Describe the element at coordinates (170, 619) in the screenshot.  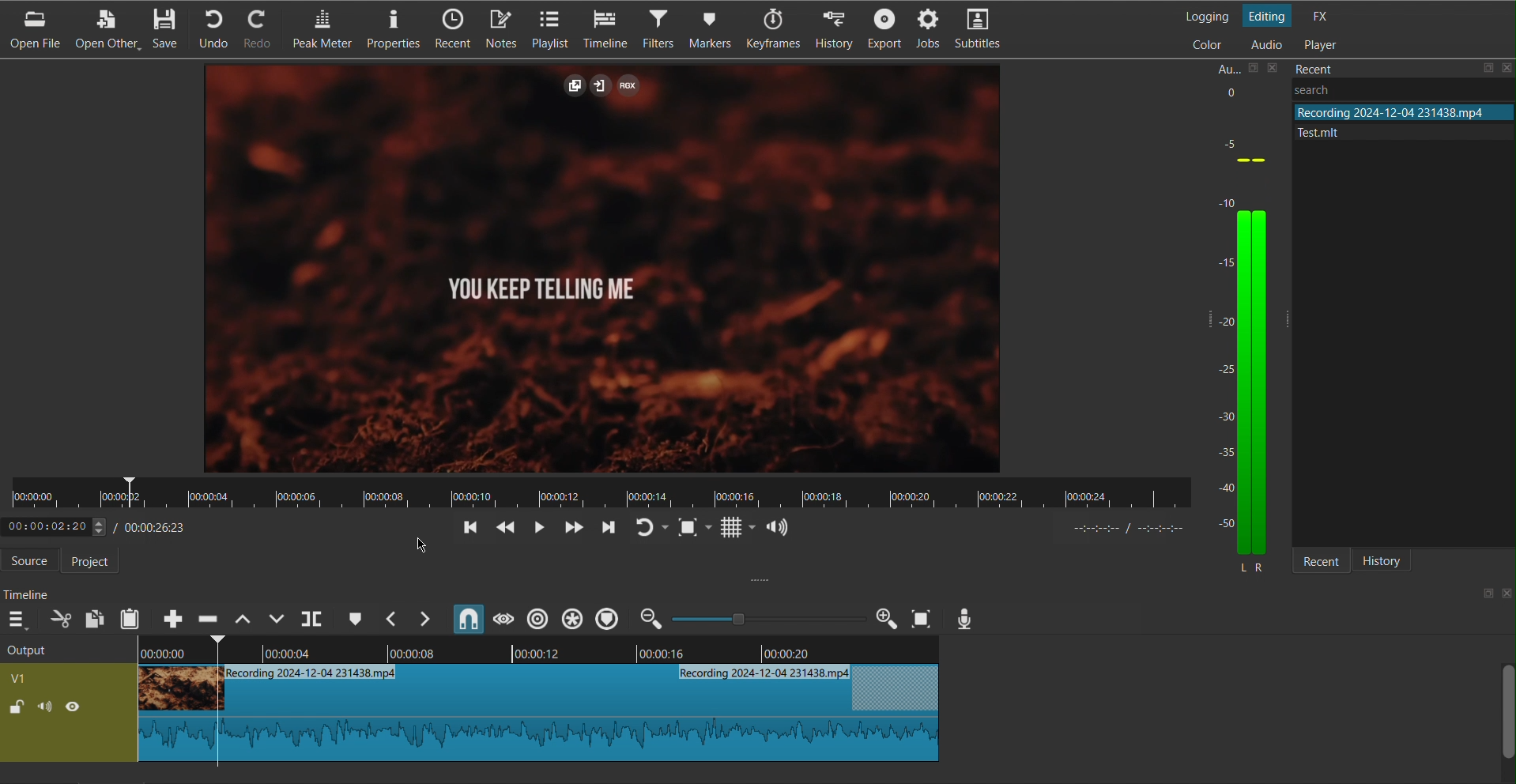
I see `Append` at that location.